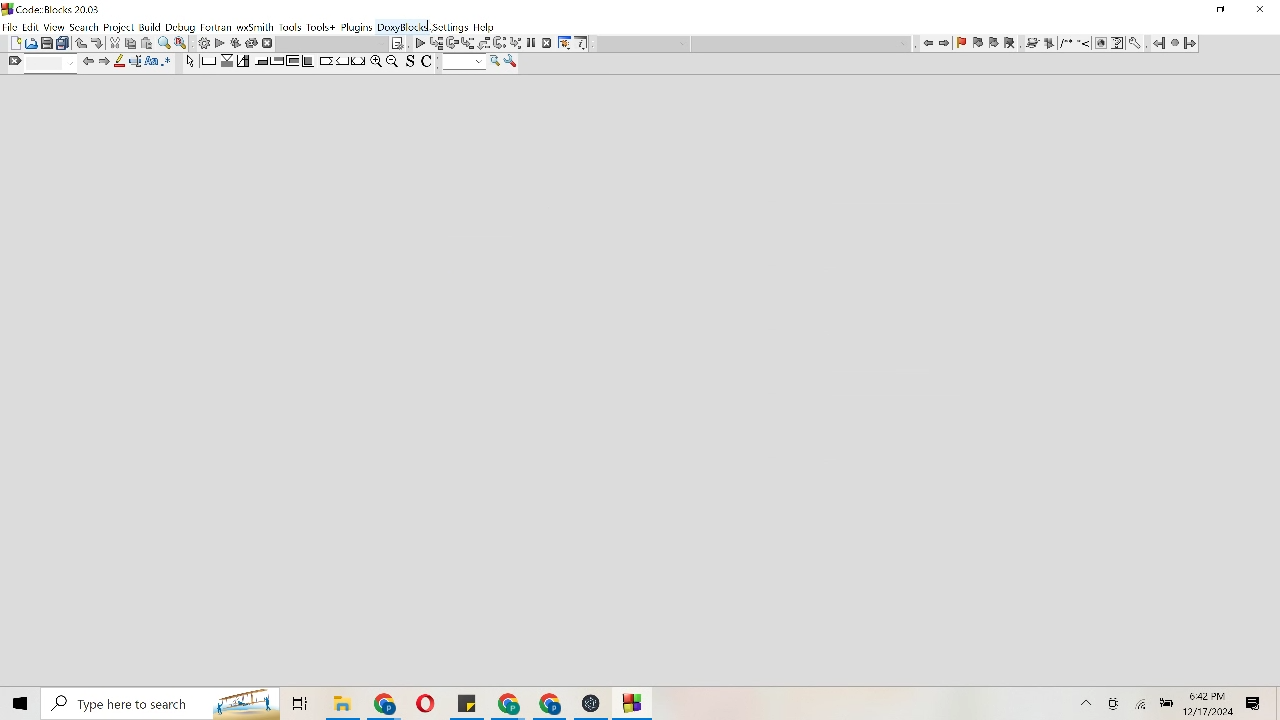 The height and width of the screenshot is (720, 1280). I want to click on File, so click(342, 703).